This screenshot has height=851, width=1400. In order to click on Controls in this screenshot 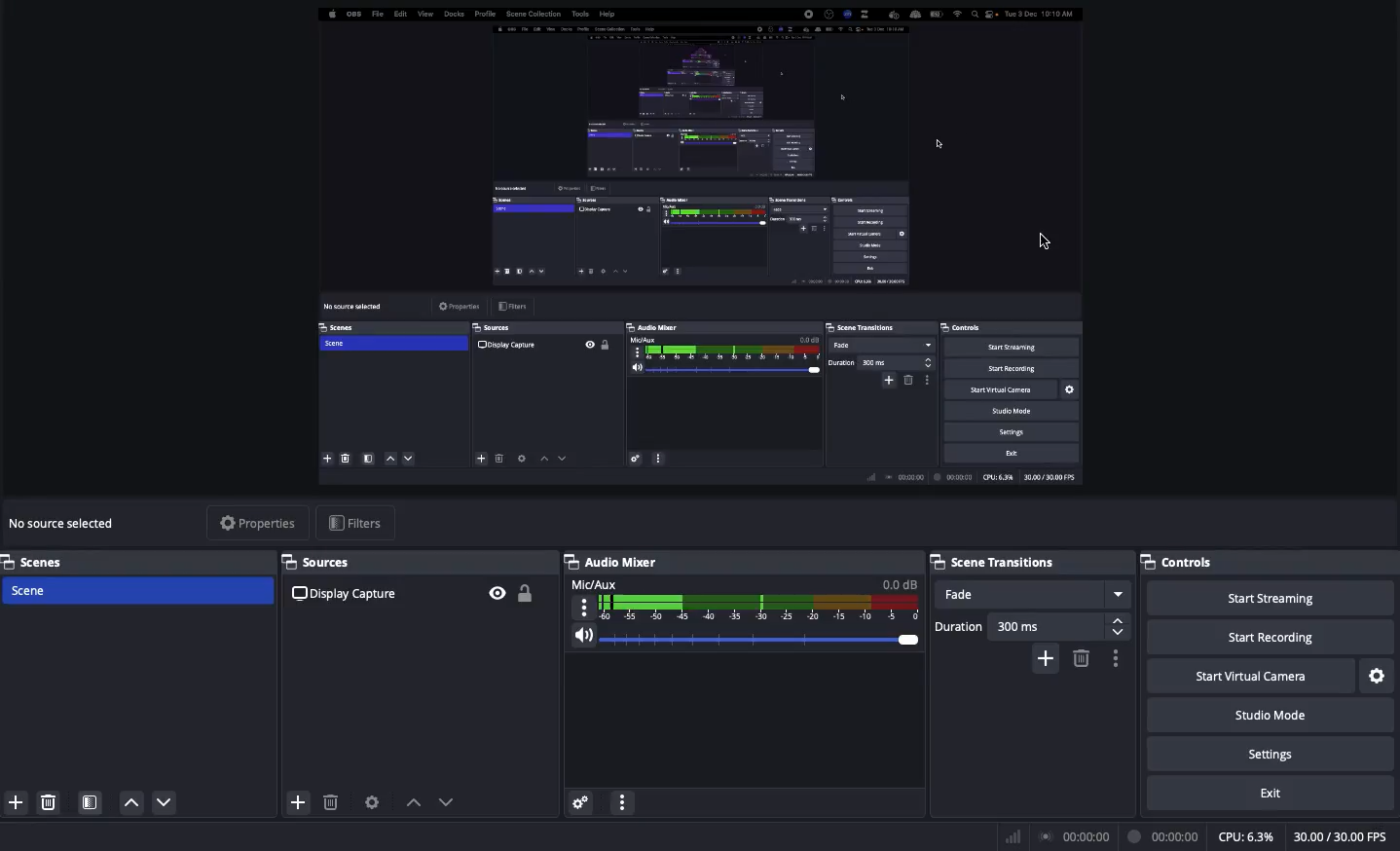, I will do `click(1270, 562)`.